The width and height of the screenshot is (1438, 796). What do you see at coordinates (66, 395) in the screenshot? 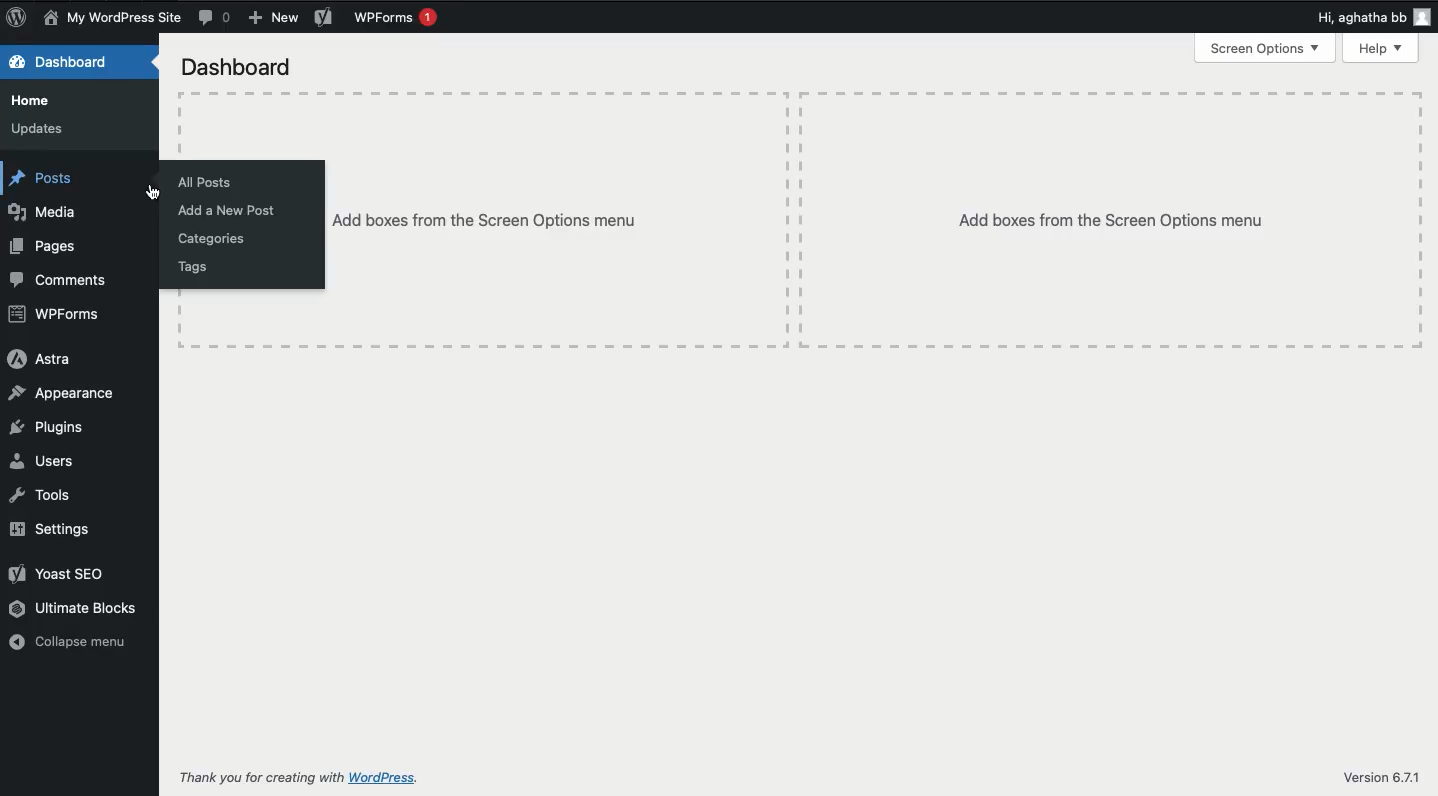
I see `Appearance` at bounding box center [66, 395].